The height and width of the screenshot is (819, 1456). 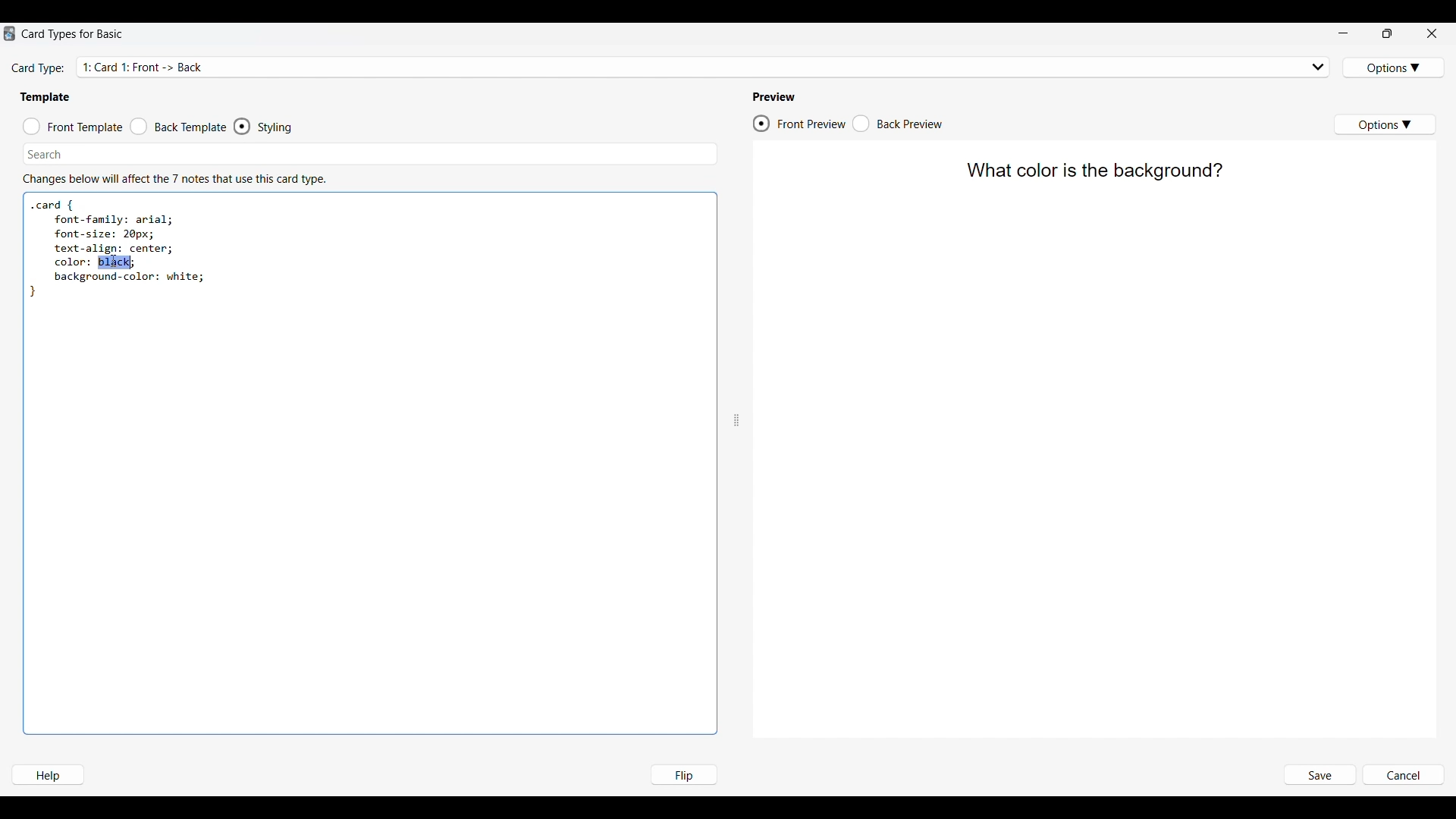 I want to click on Help, so click(x=47, y=775).